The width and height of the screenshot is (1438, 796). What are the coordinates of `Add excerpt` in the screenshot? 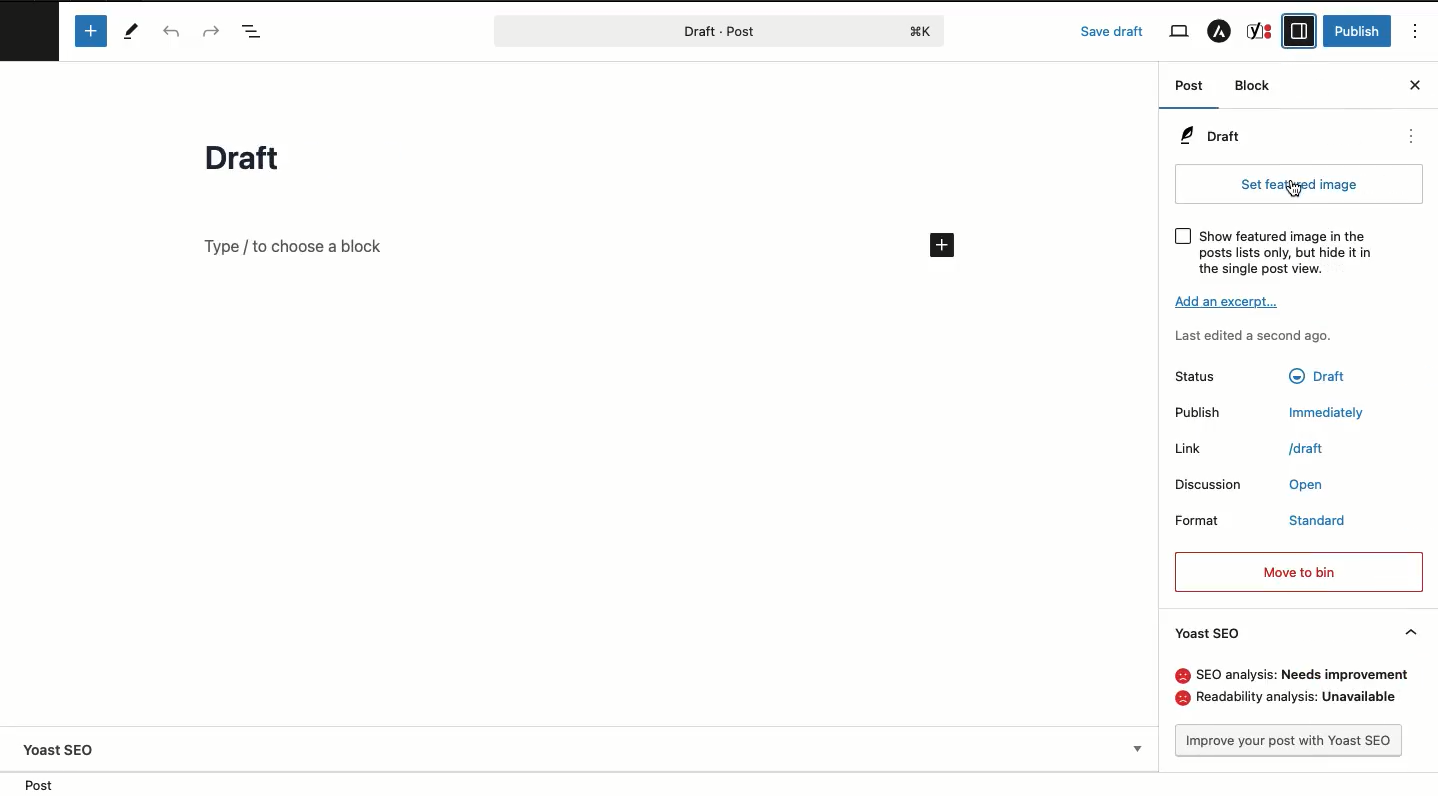 It's located at (1229, 302).